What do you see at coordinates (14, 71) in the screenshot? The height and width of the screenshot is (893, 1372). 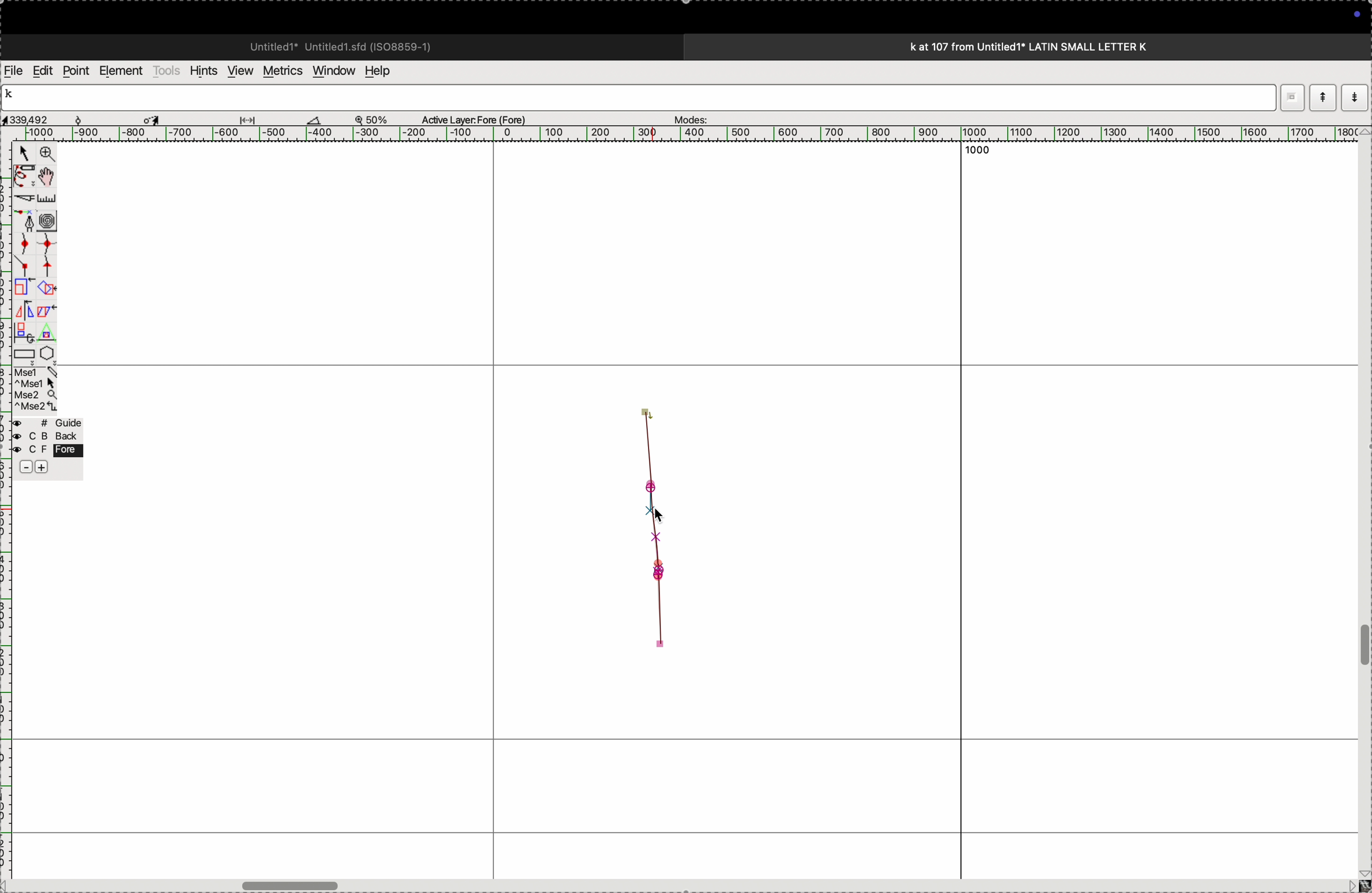 I see `file` at bounding box center [14, 71].